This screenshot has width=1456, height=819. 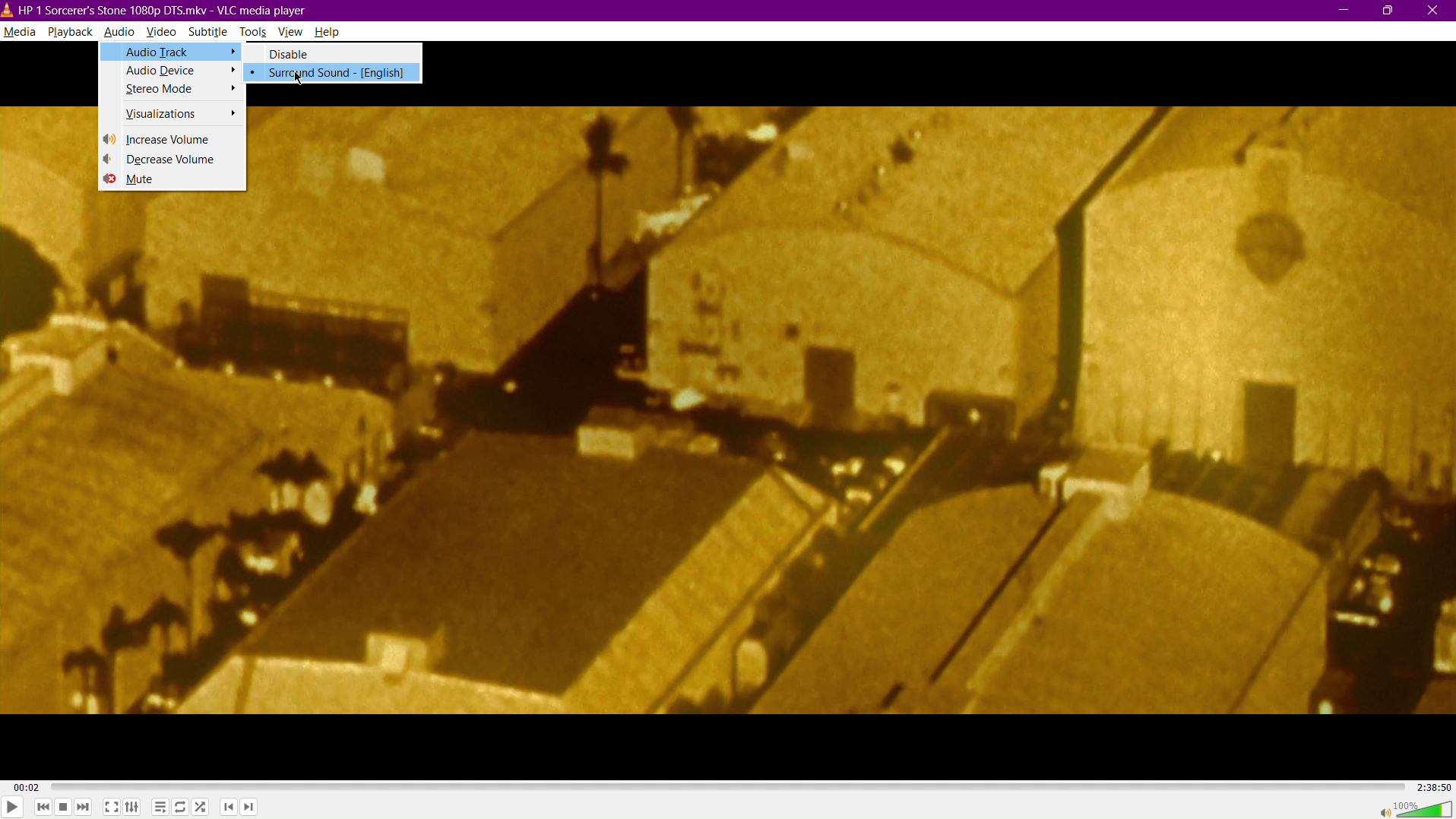 What do you see at coordinates (1389, 10) in the screenshot?
I see `Maximize` at bounding box center [1389, 10].